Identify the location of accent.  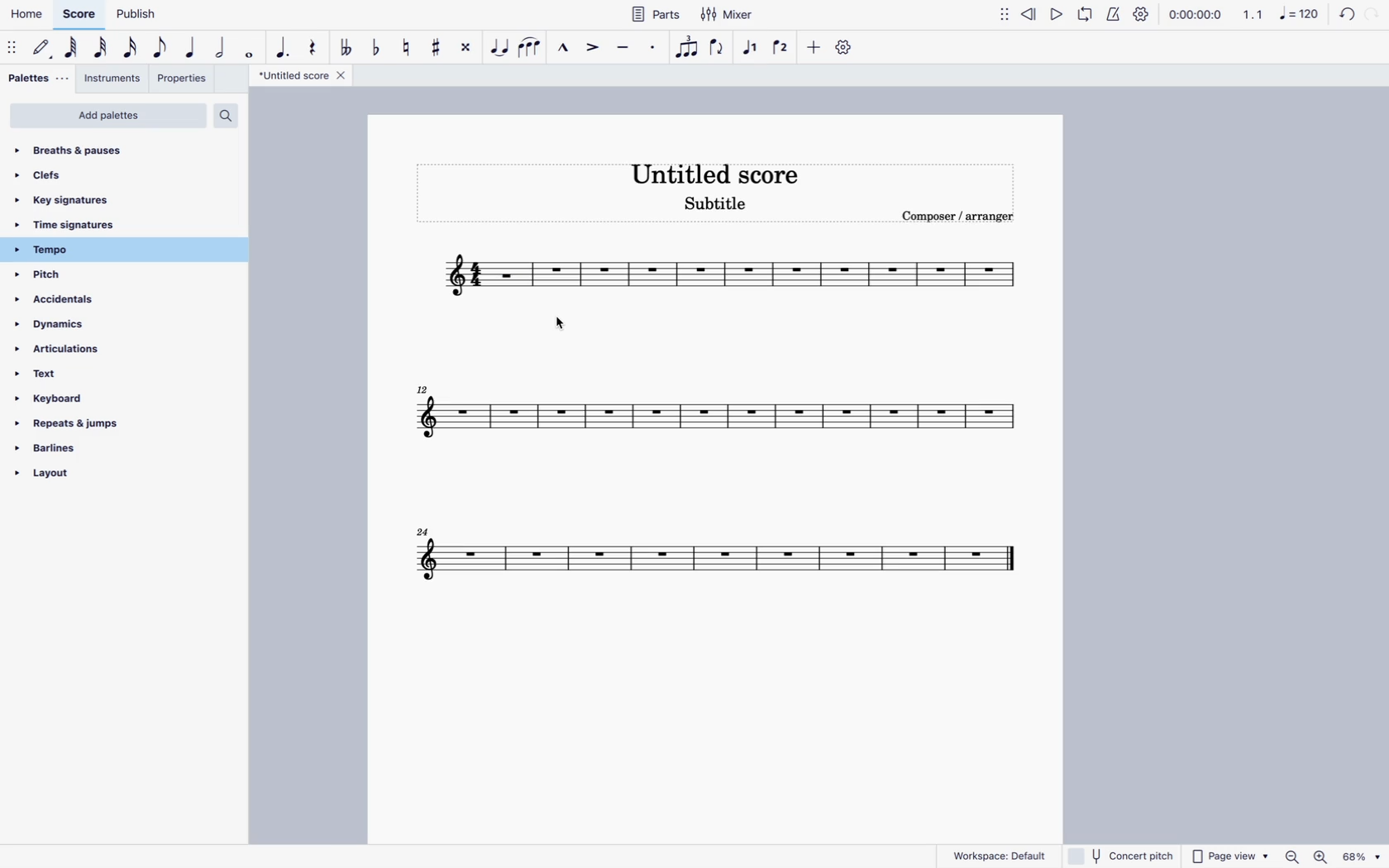
(594, 49).